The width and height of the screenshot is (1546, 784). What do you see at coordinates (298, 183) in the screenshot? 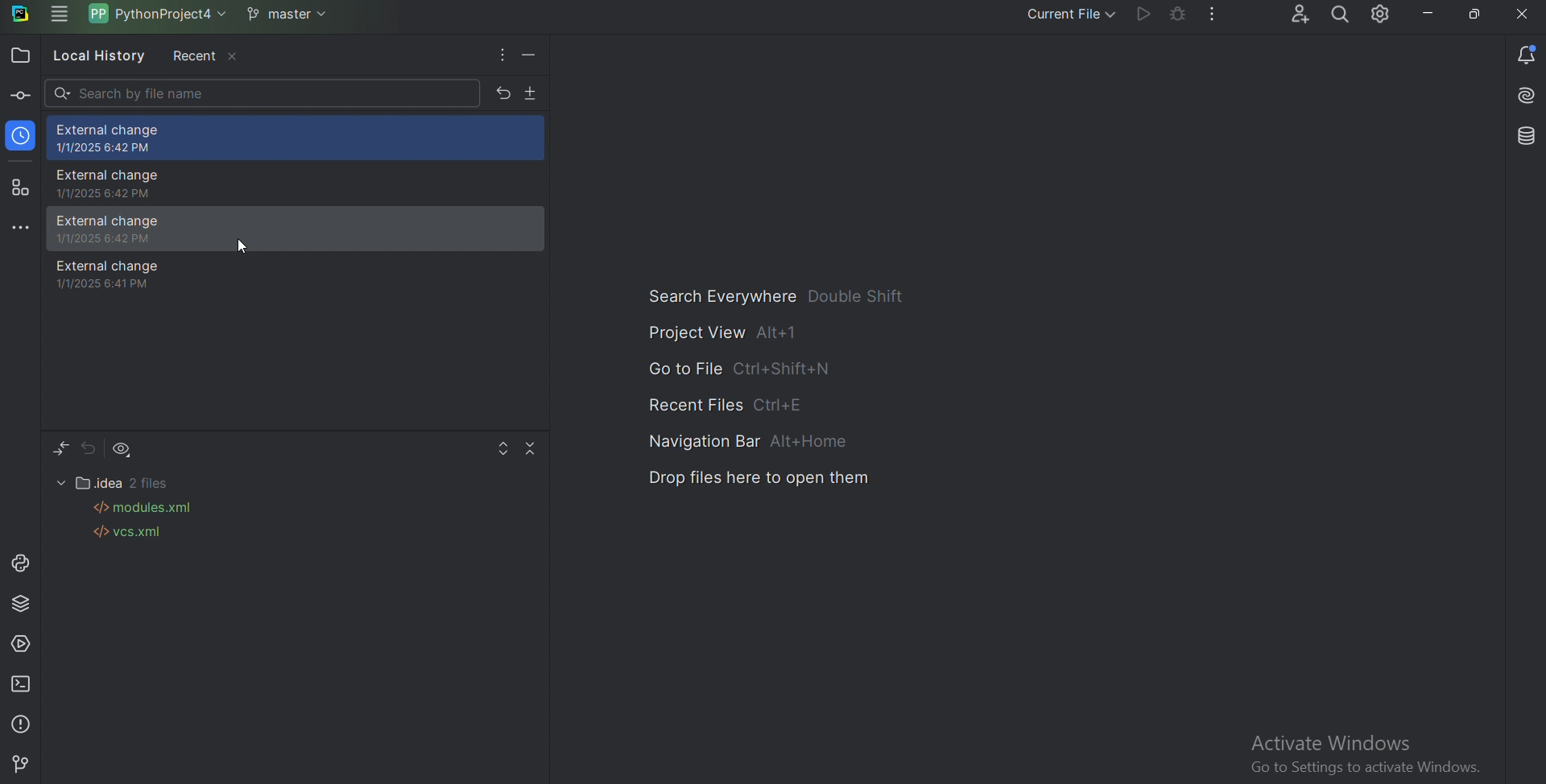
I see `External change` at bounding box center [298, 183].